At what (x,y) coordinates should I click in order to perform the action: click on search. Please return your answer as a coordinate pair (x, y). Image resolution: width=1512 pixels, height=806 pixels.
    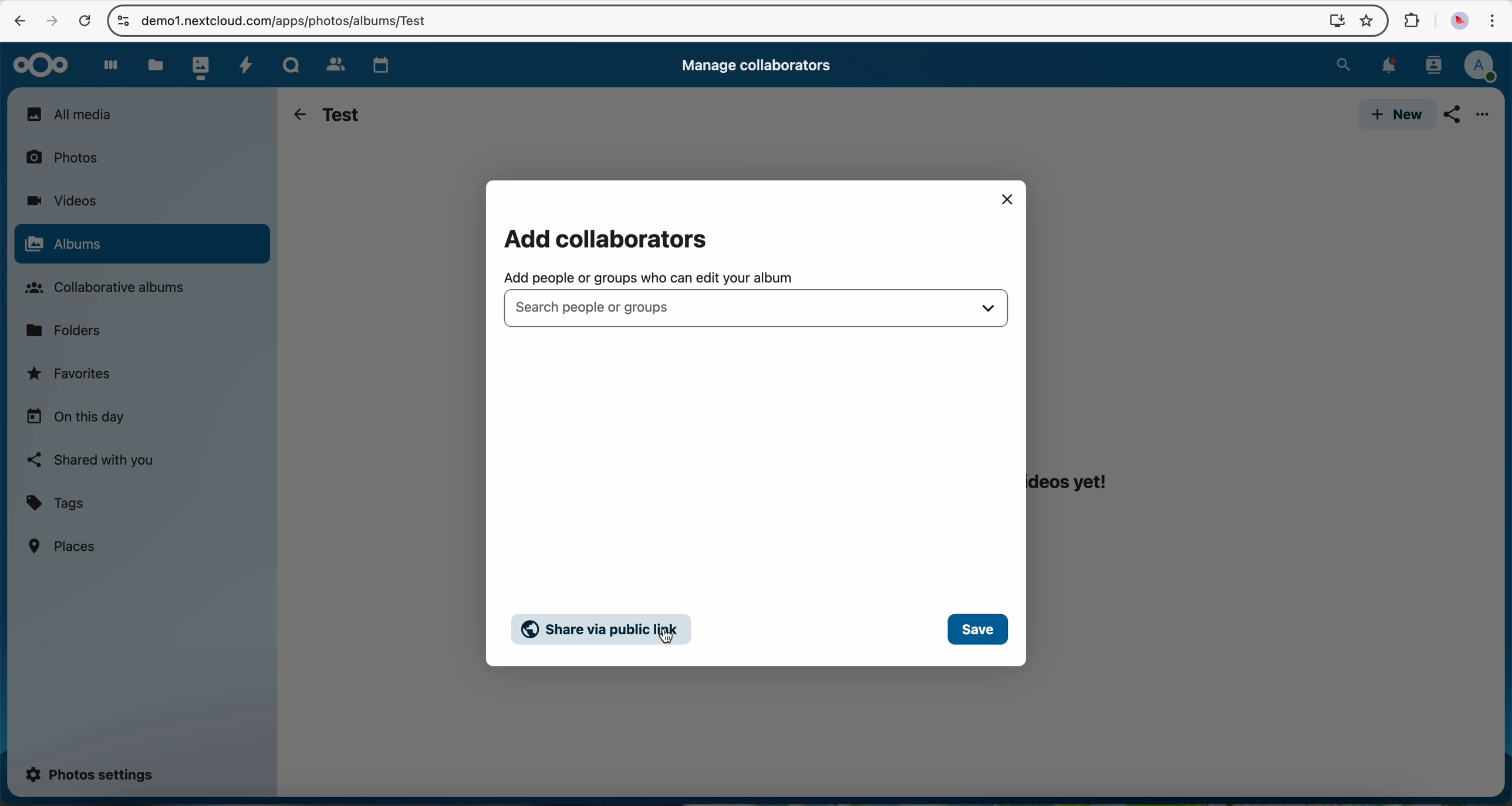
    Looking at the image, I should click on (1343, 63).